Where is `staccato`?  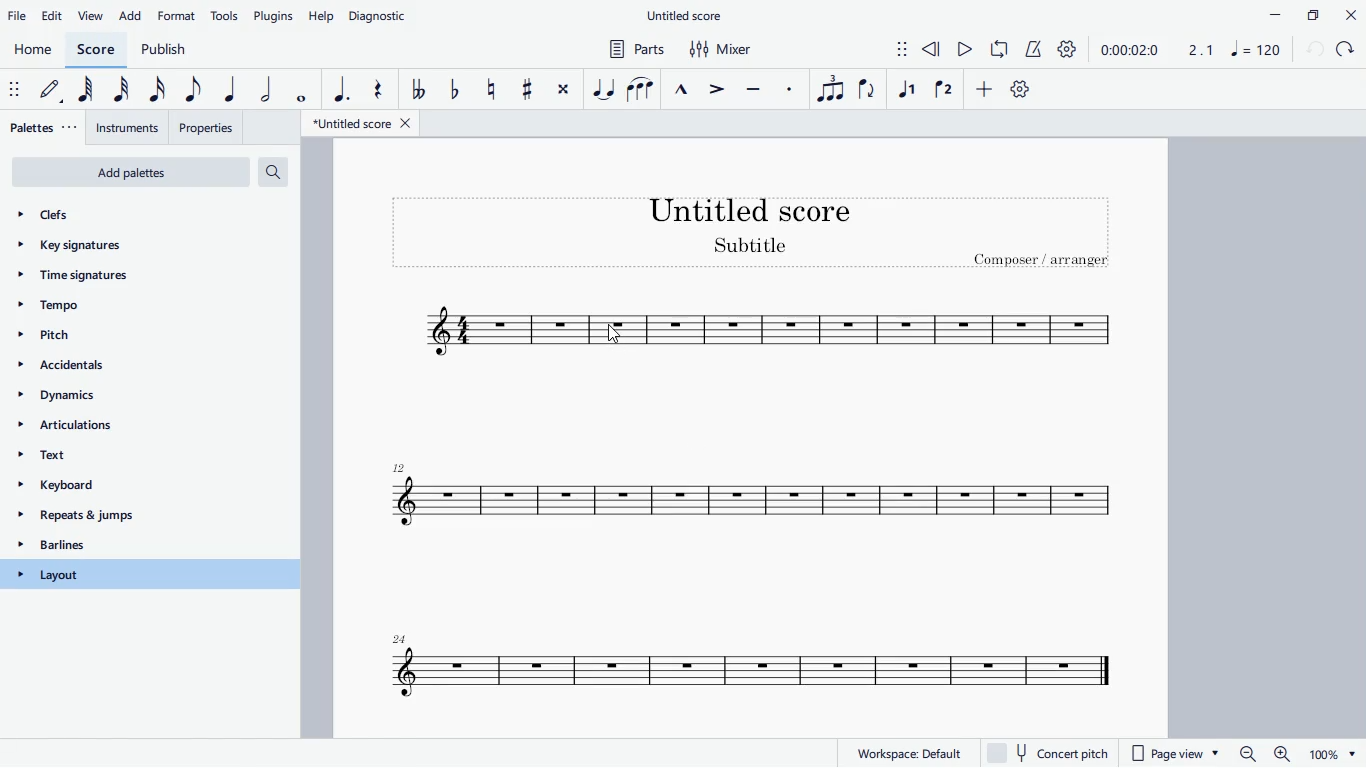
staccato is located at coordinates (791, 89).